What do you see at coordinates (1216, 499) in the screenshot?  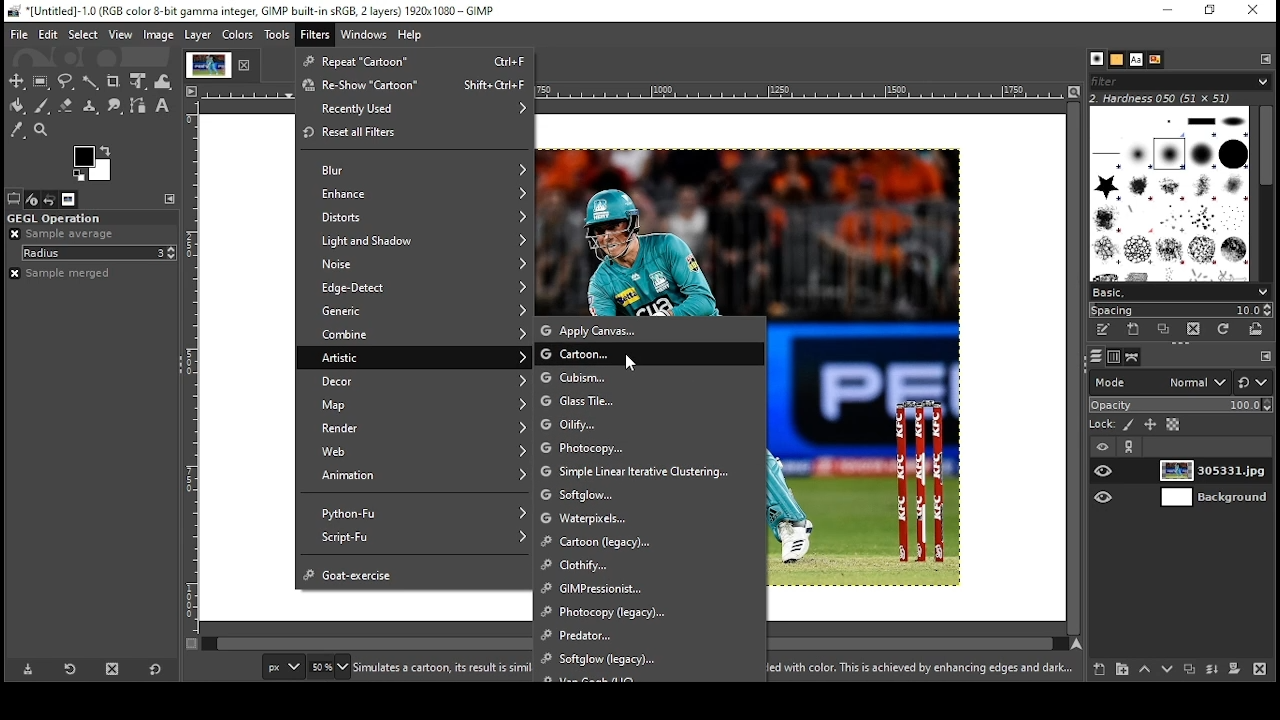 I see `layer 2` at bounding box center [1216, 499].